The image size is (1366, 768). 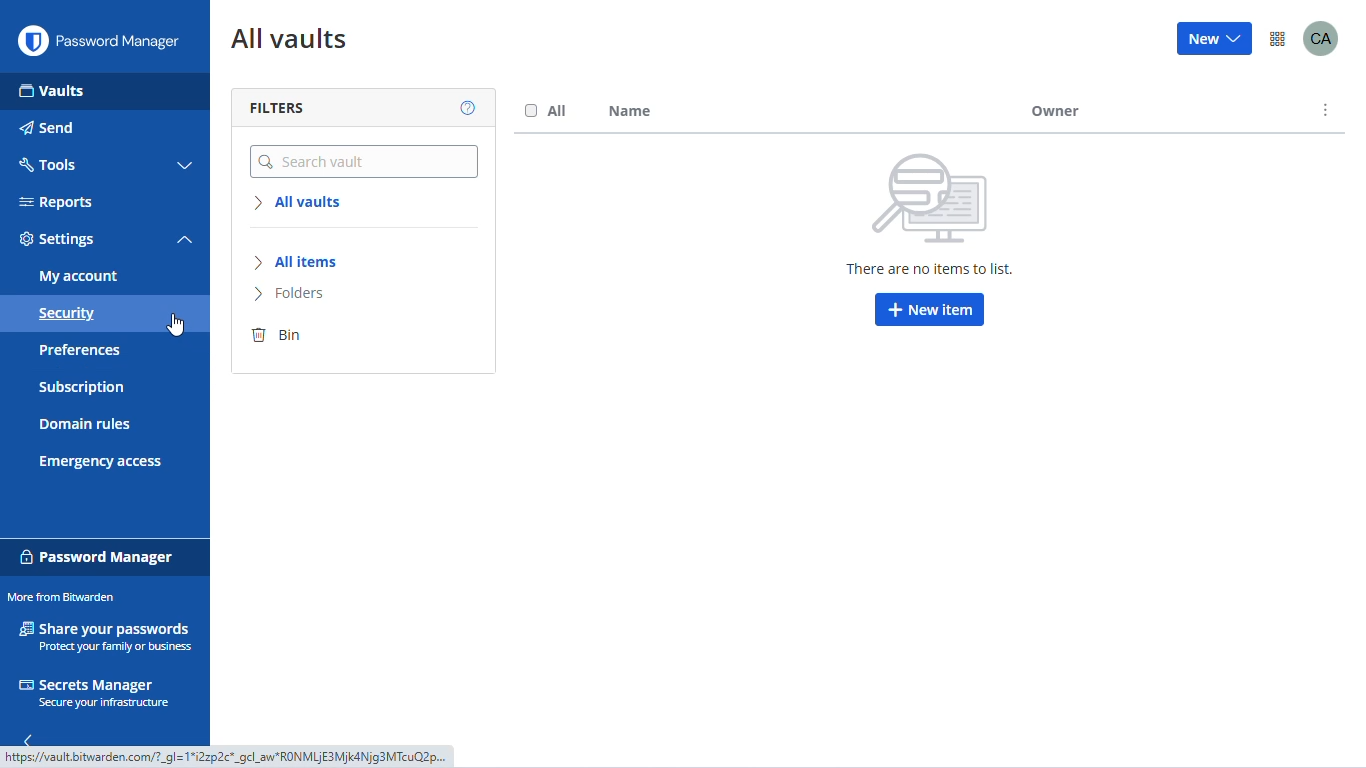 What do you see at coordinates (302, 203) in the screenshot?
I see `all vaults` at bounding box center [302, 203].